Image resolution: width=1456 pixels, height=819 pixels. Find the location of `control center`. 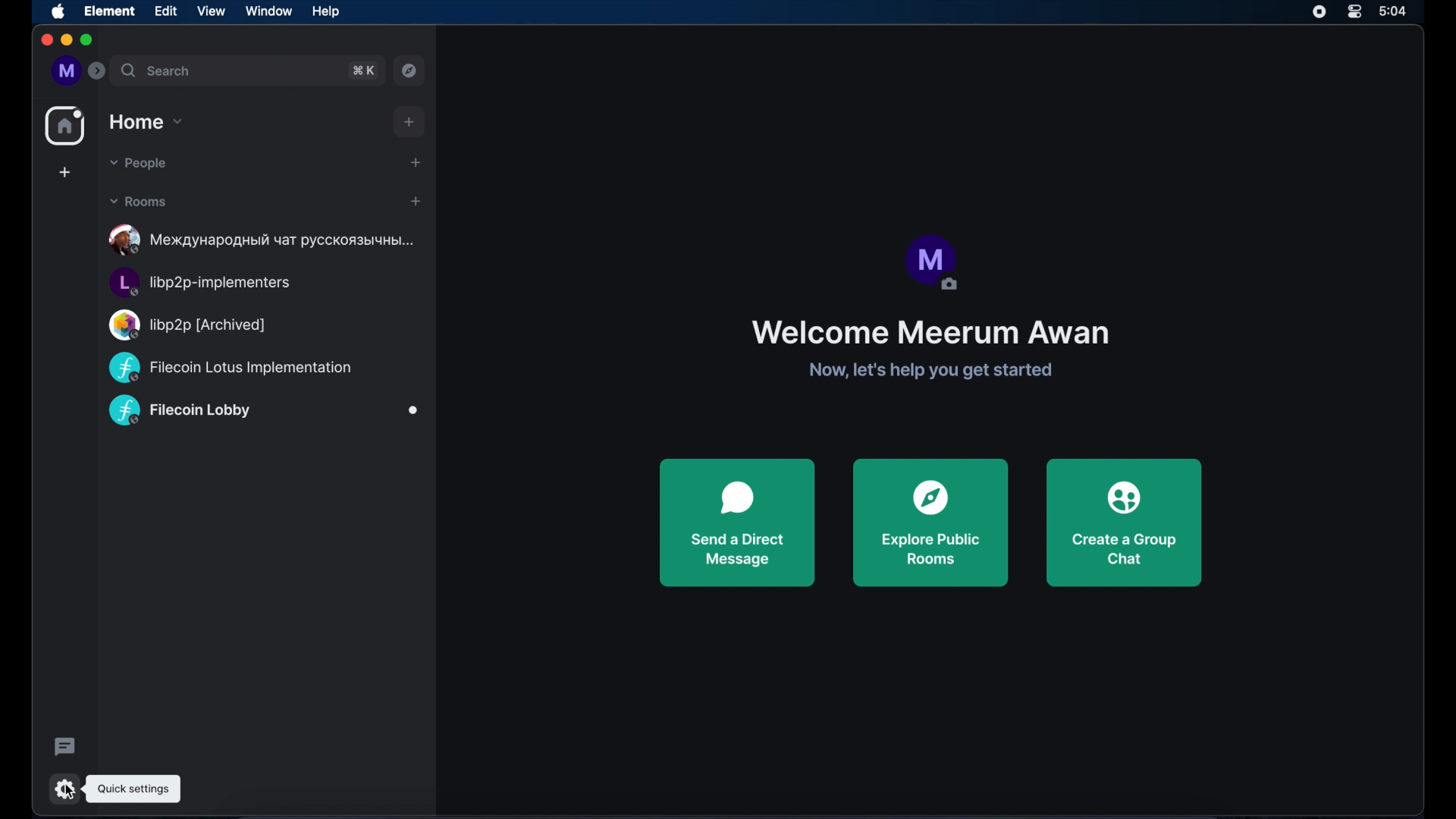

control center is located at coordinates (1355, 12).